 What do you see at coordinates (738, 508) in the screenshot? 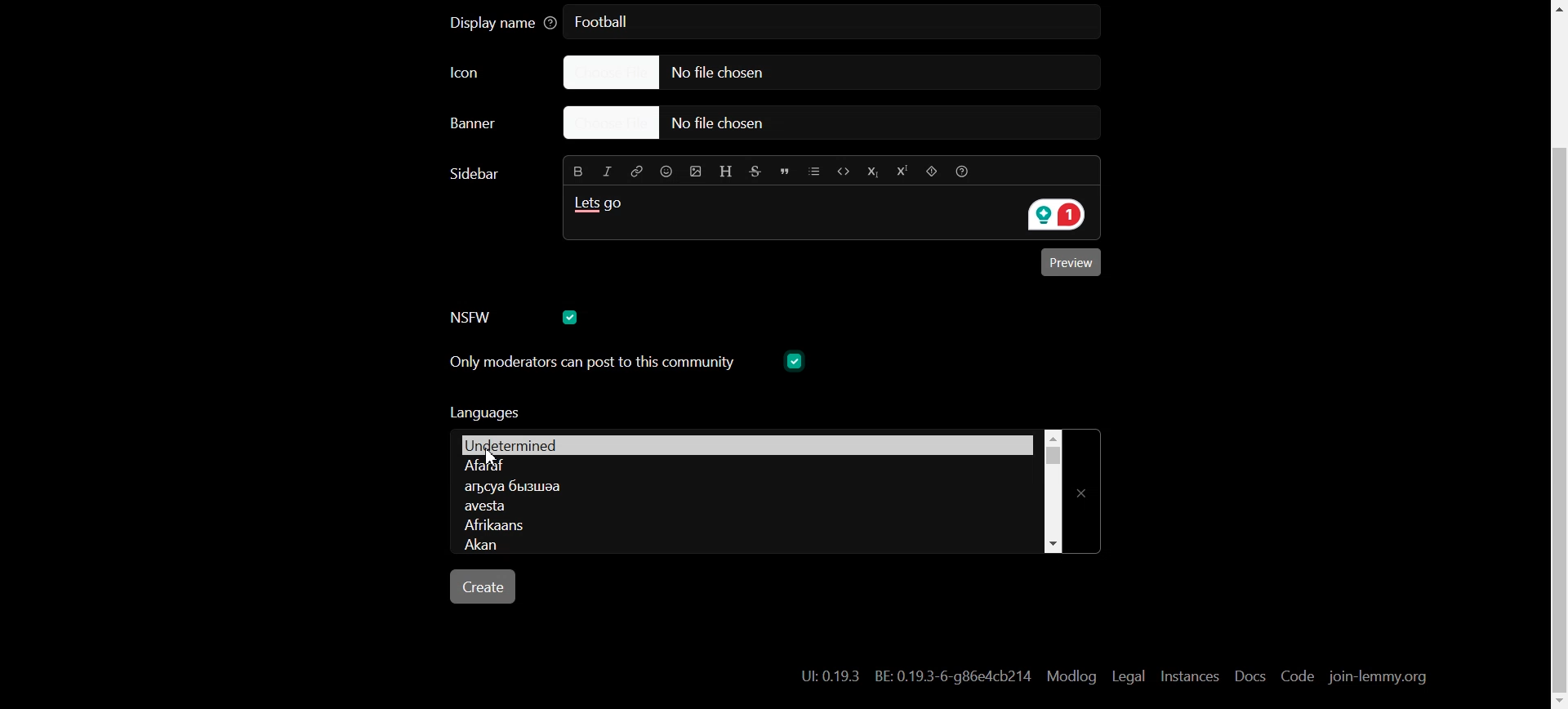
I see `Language` at bounding box center [738, 508].